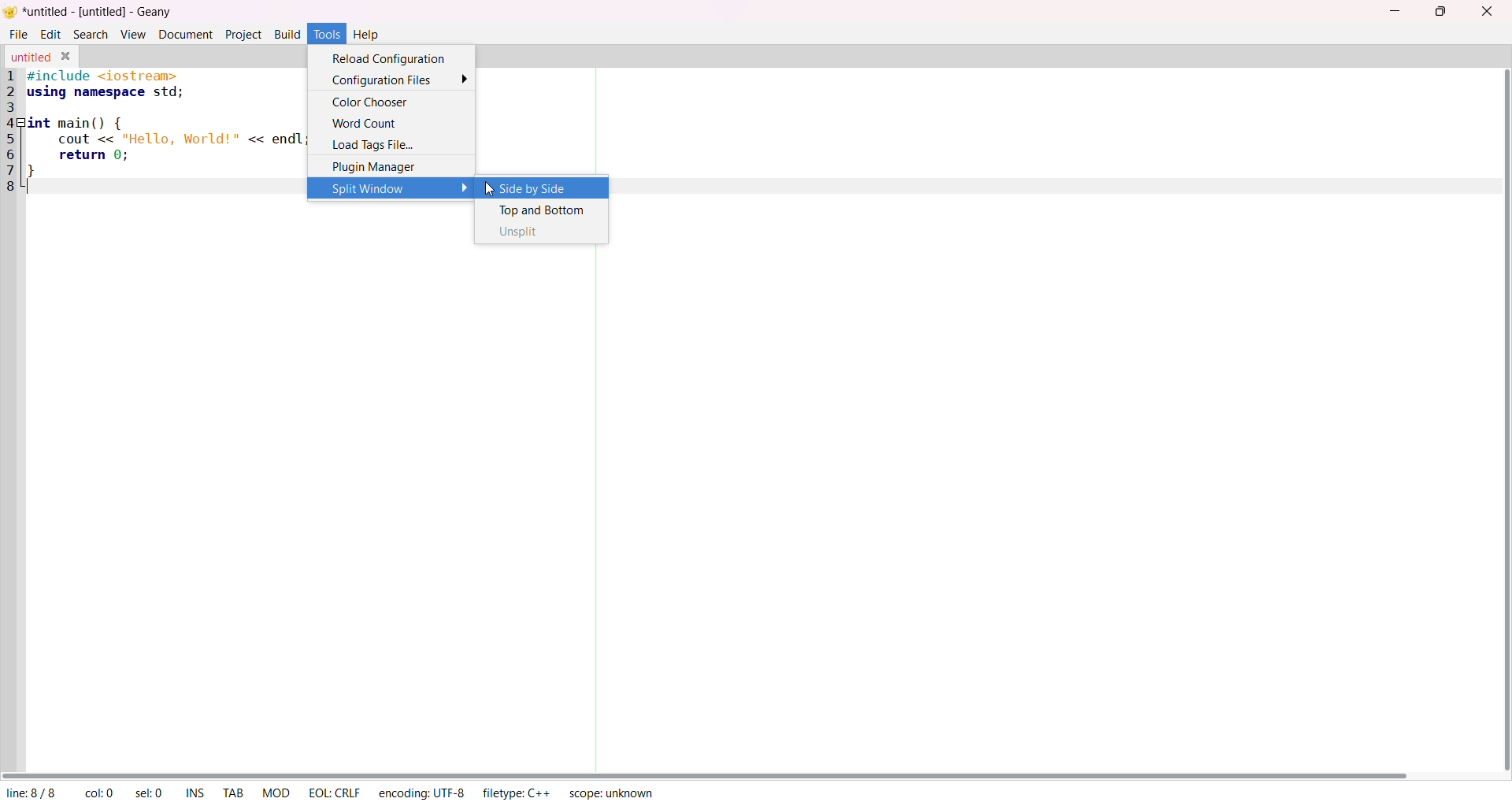 The image size is (1512, 802). What do you see at coordinates (287, 34) in the screenshot?
I see `Build` at bounding box center [287, 34].